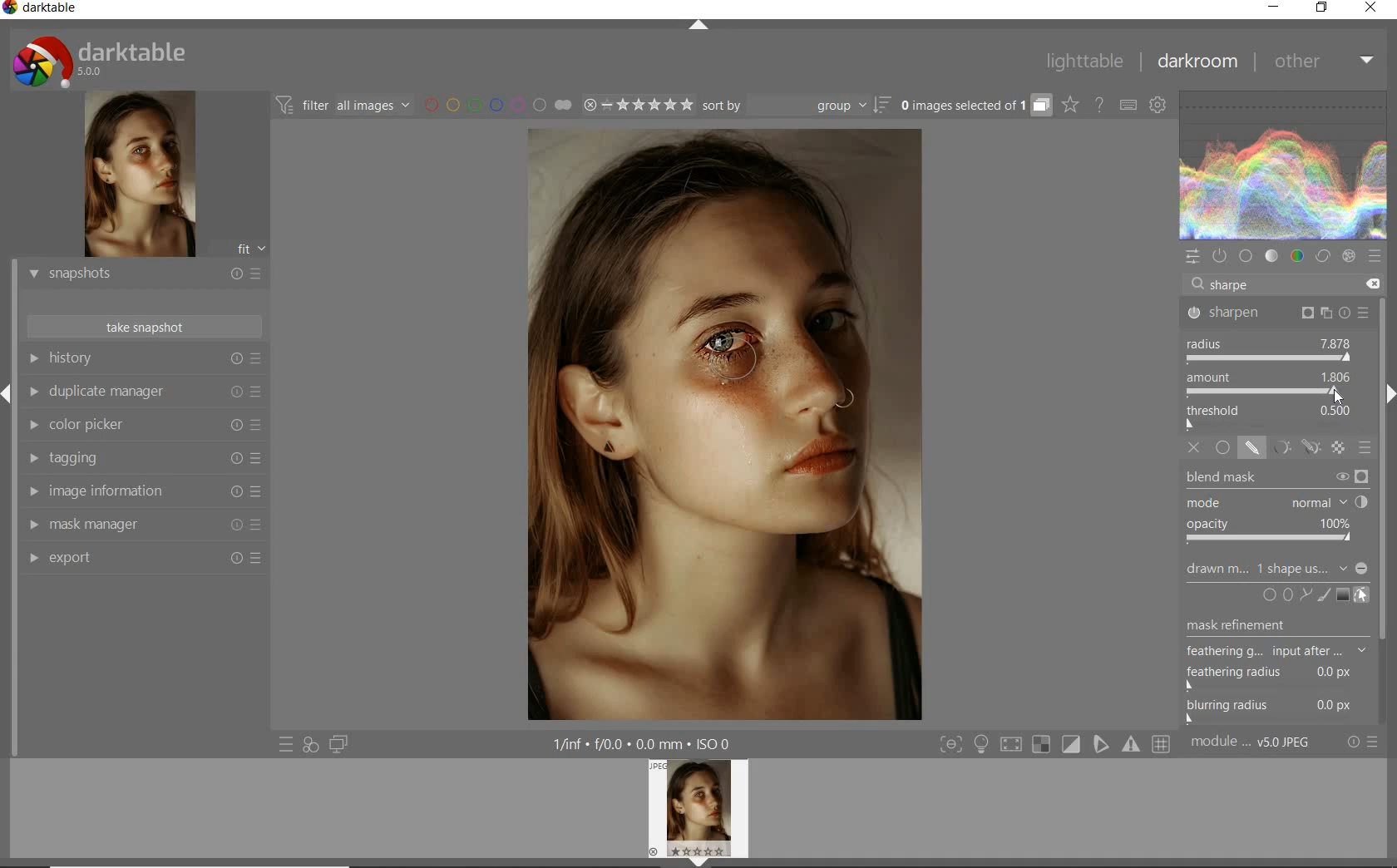  What do you see at coordinates (287, 743) in the screenshot?
I see `quick access to presets` at bounding box center [287, 743].